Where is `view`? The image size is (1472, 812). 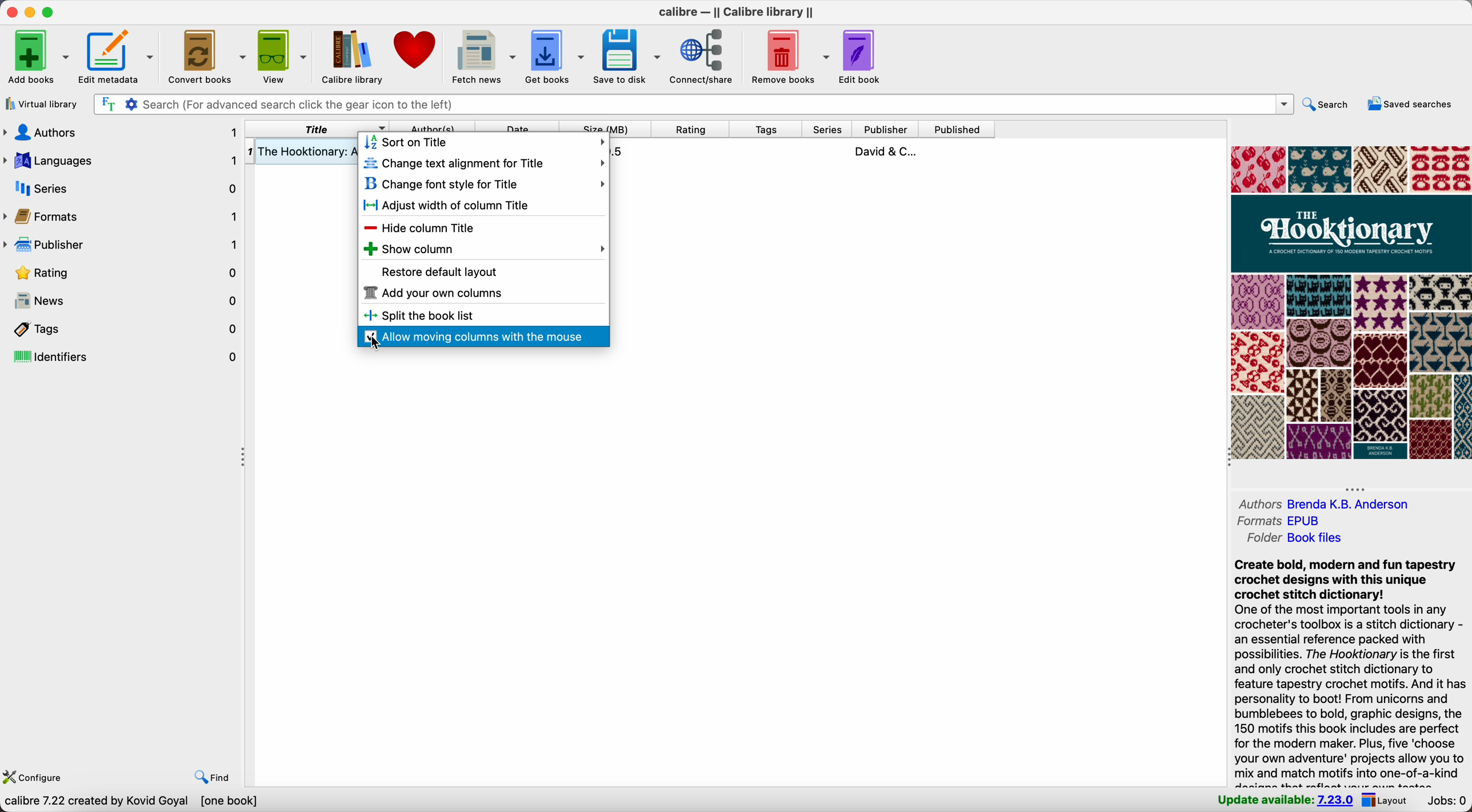 view is located at coordinates (281, 55).